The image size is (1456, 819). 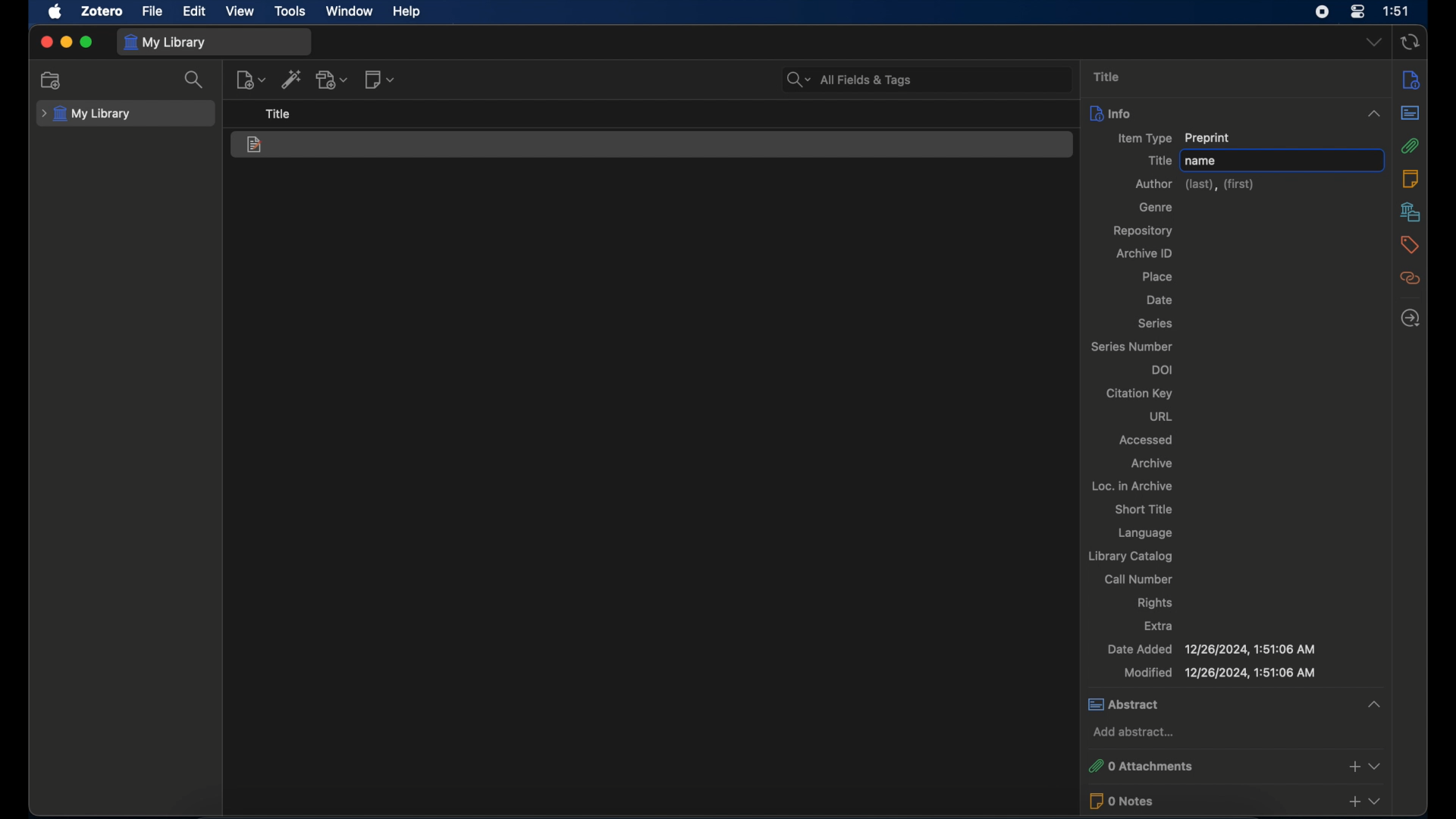 I want to click on new collection, so click(x=51, y=80).